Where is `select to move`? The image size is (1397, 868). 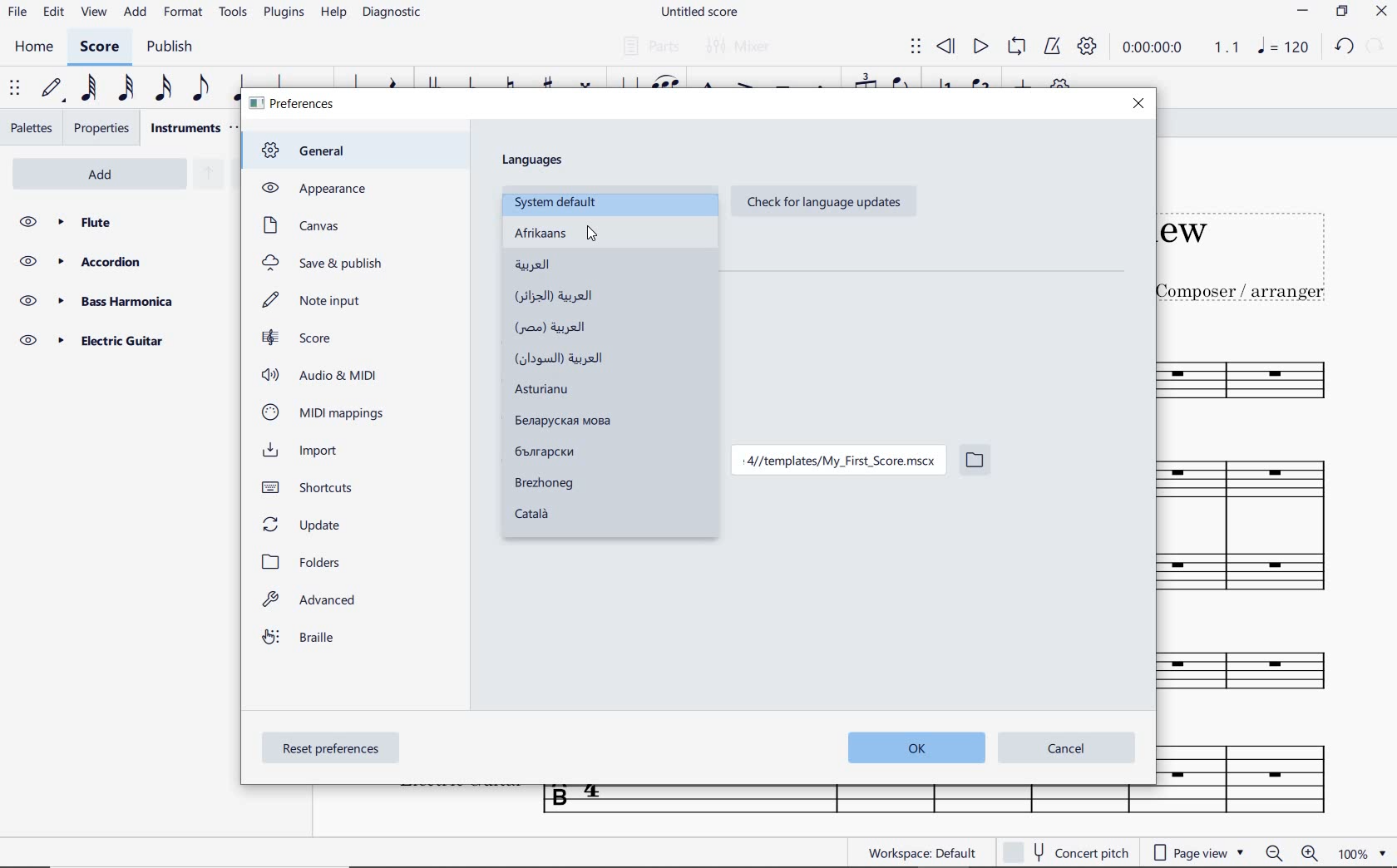 select to move is located at coordinates (17, 89).